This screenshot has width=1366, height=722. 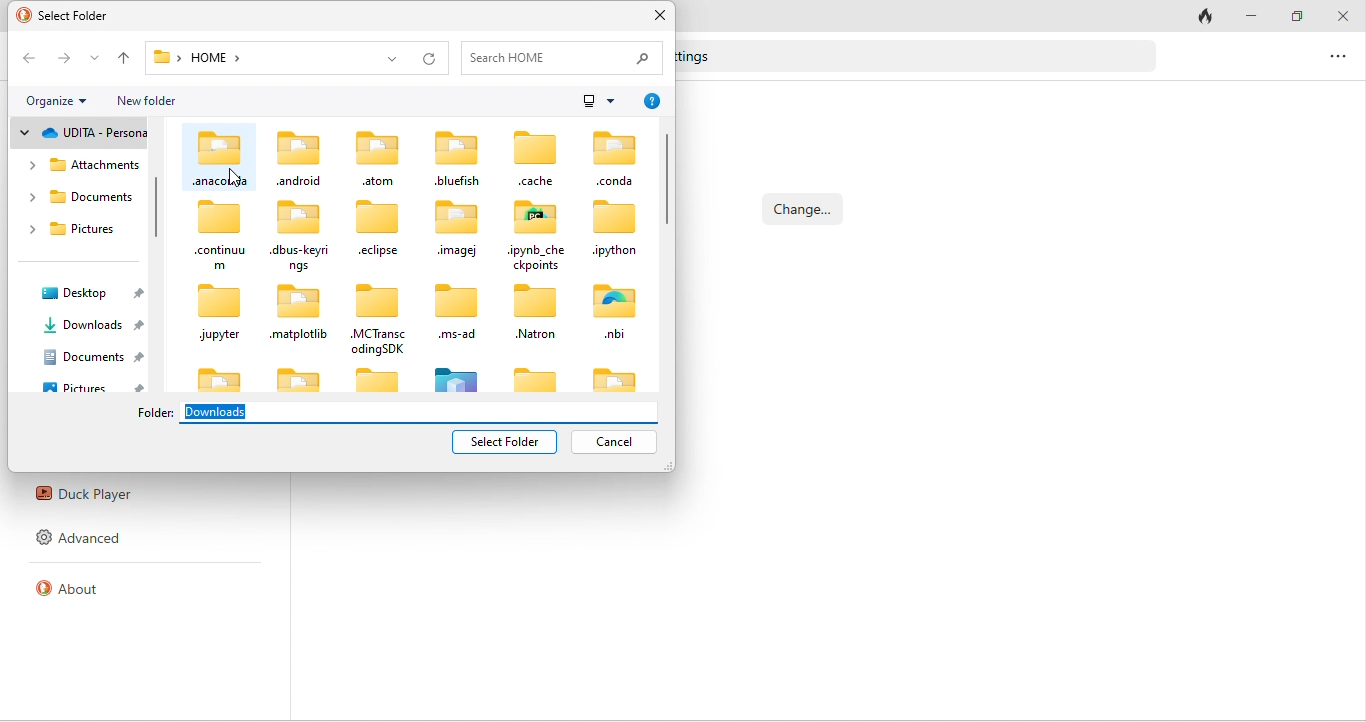 I want to click on udita personal, so click(x=77, y=132).